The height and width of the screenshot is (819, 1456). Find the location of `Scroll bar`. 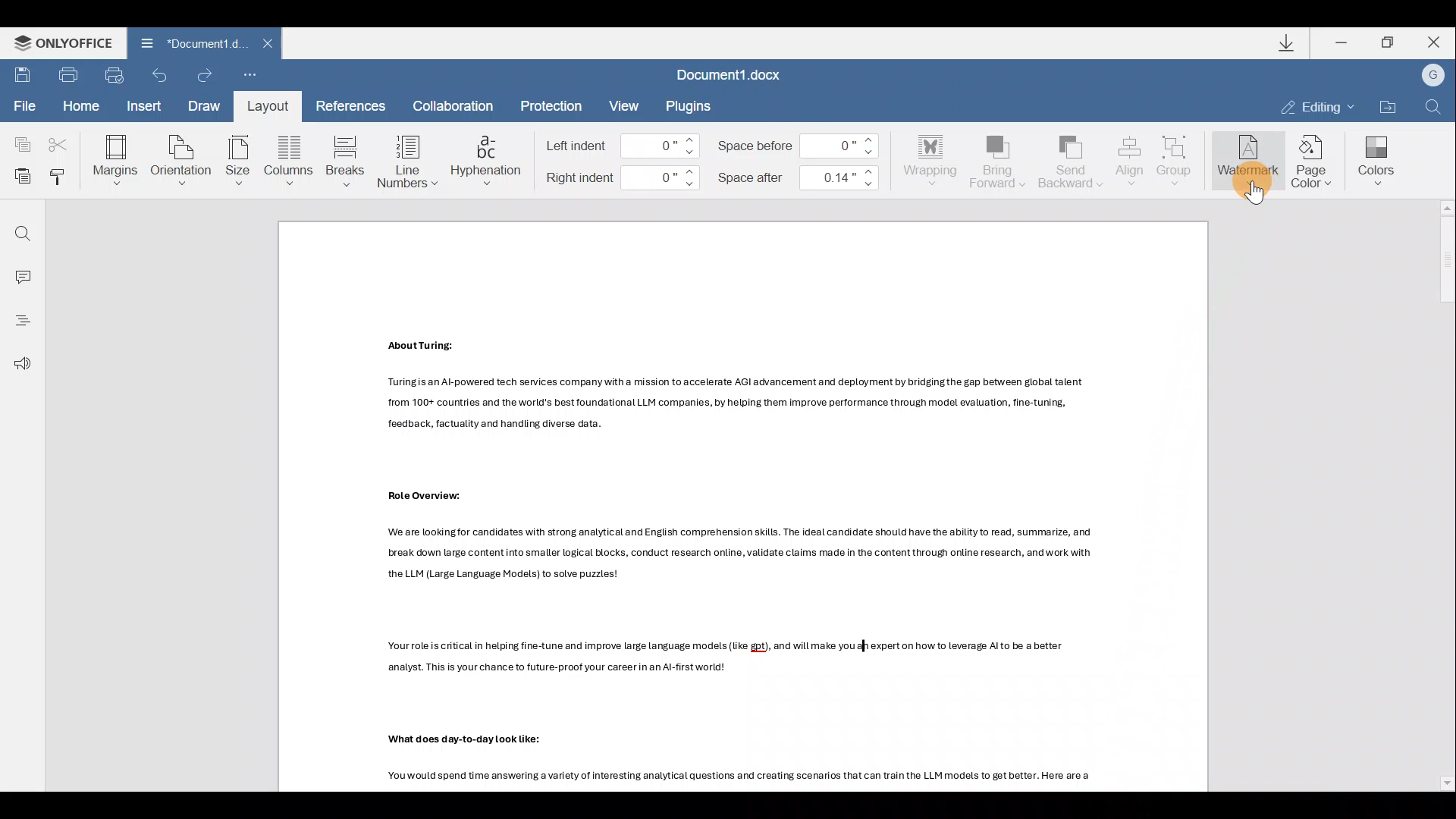

Scroll bar is located at coordinates (1441, 494).